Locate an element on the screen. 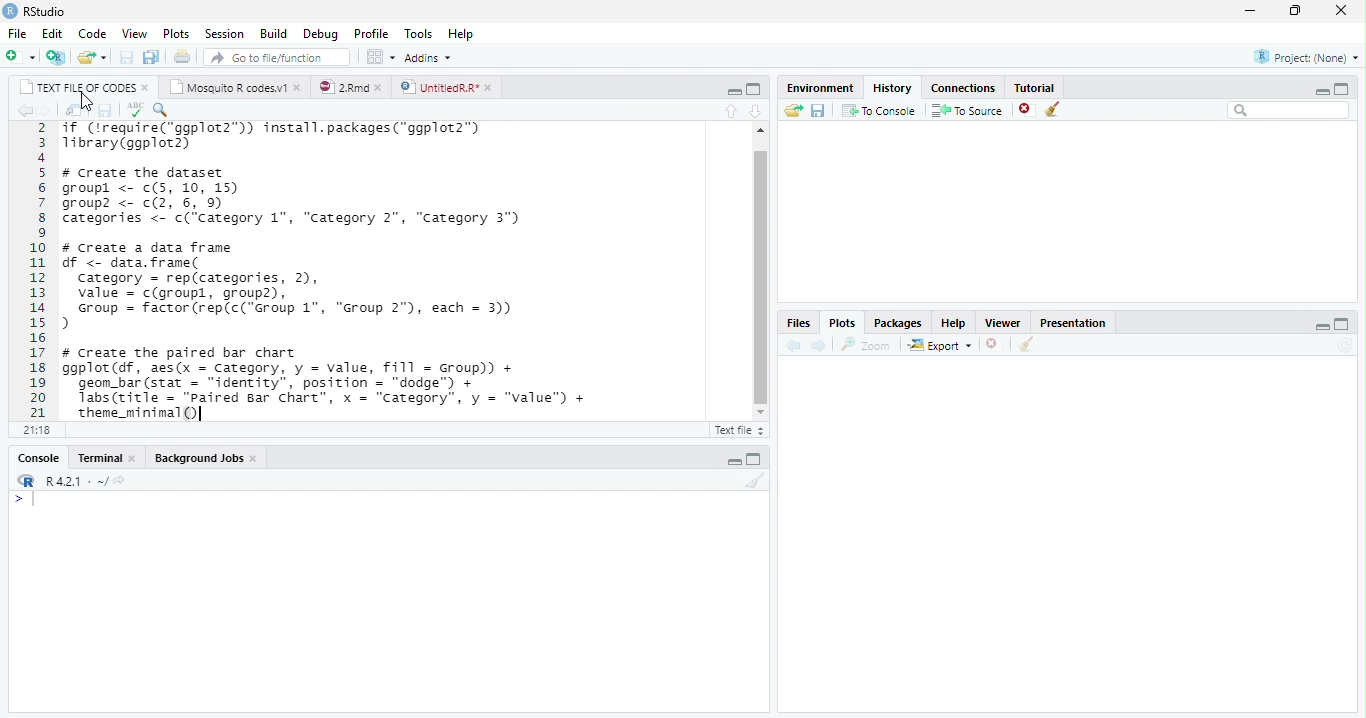 The image size is (1366, 718). clear console is located at coordinates (754, 482).